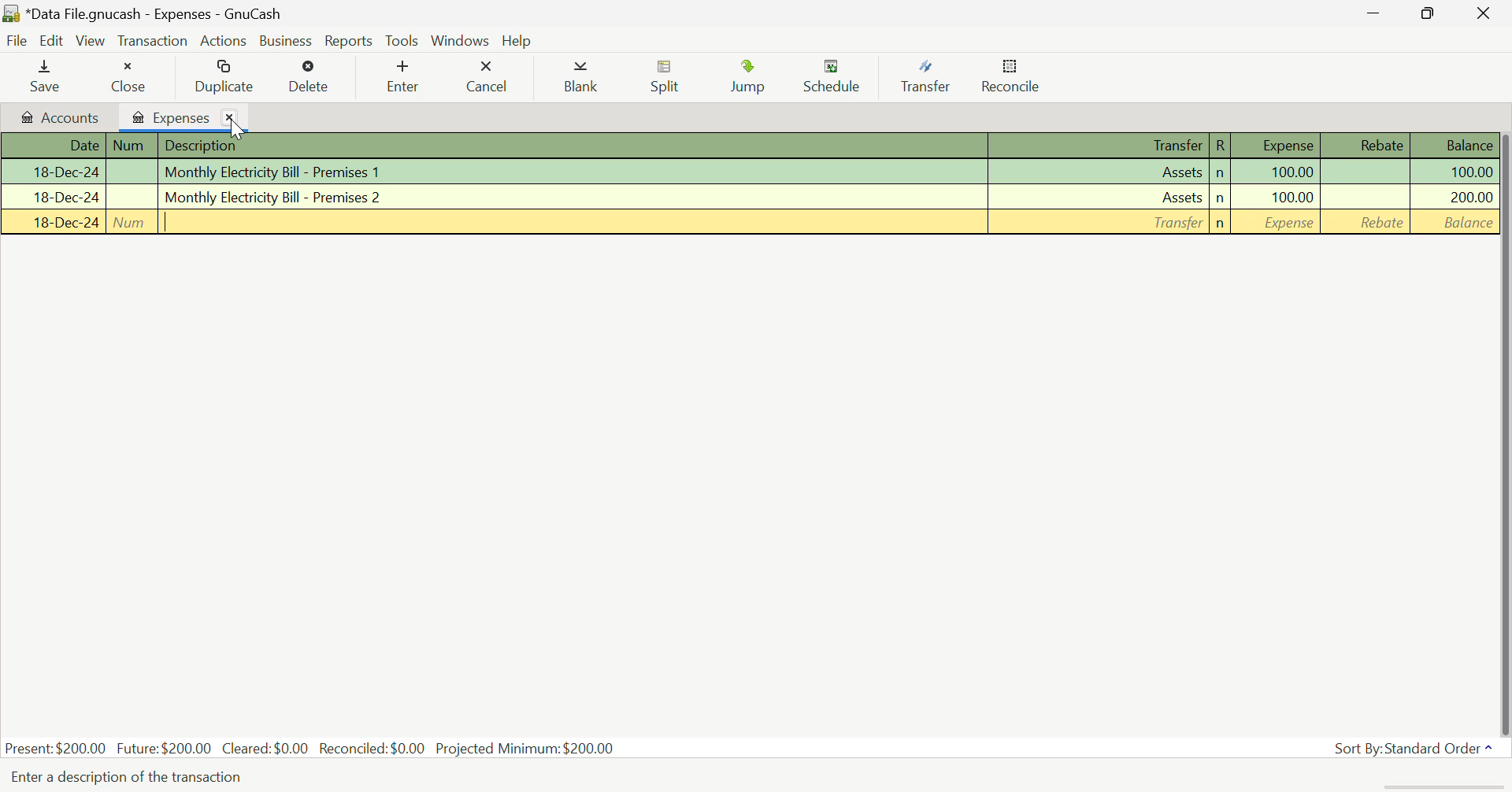 This screenshot has height=792, width=1512. What do you see at coordinates (1430, 13) in the screenshot?
I see `Minimize Window` at bounding box center [1430, 13].